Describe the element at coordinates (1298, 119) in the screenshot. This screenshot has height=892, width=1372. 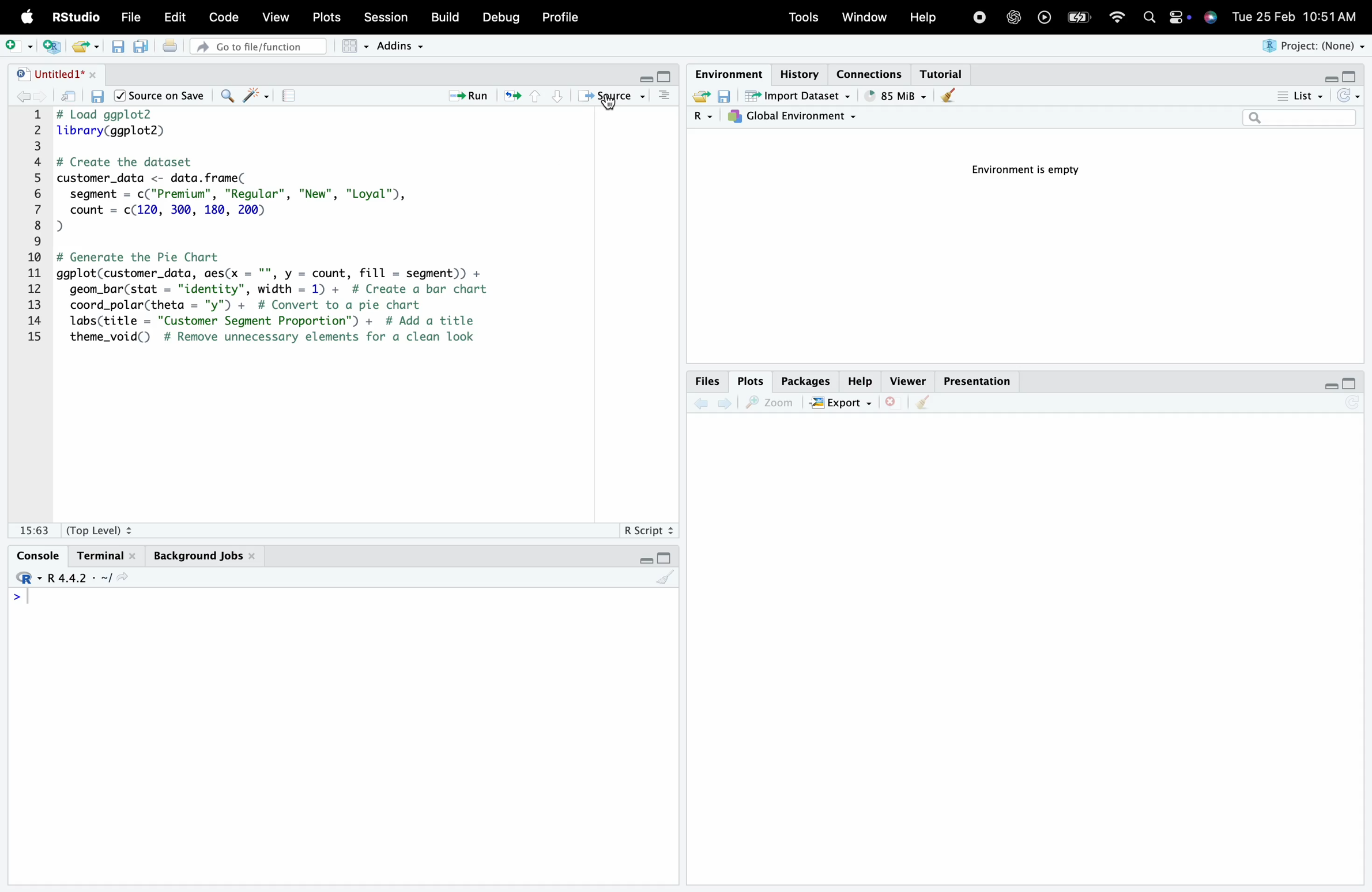
I see `search` at that location.